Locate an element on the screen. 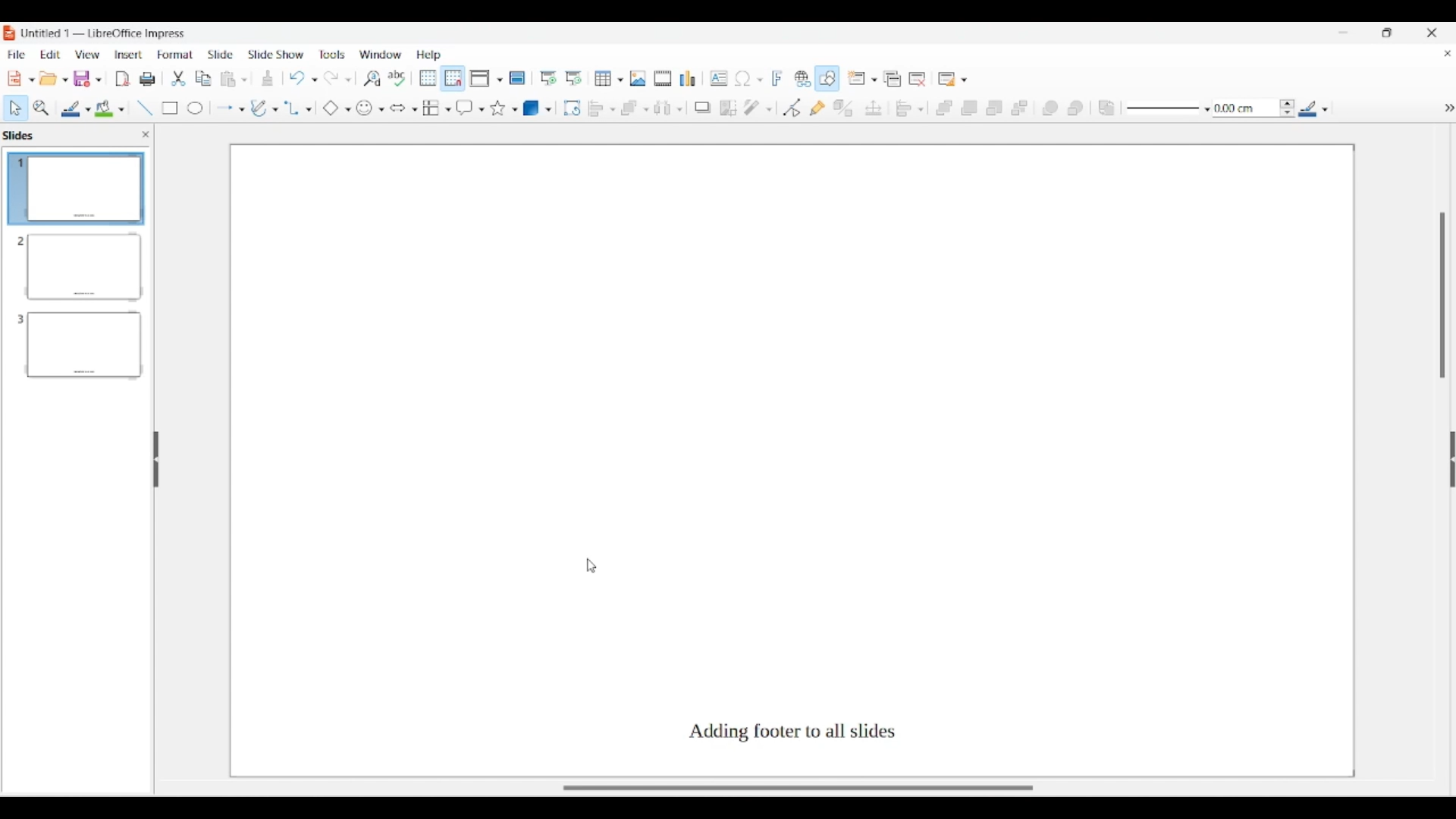  Crop image is located at coordinates (729, 108).